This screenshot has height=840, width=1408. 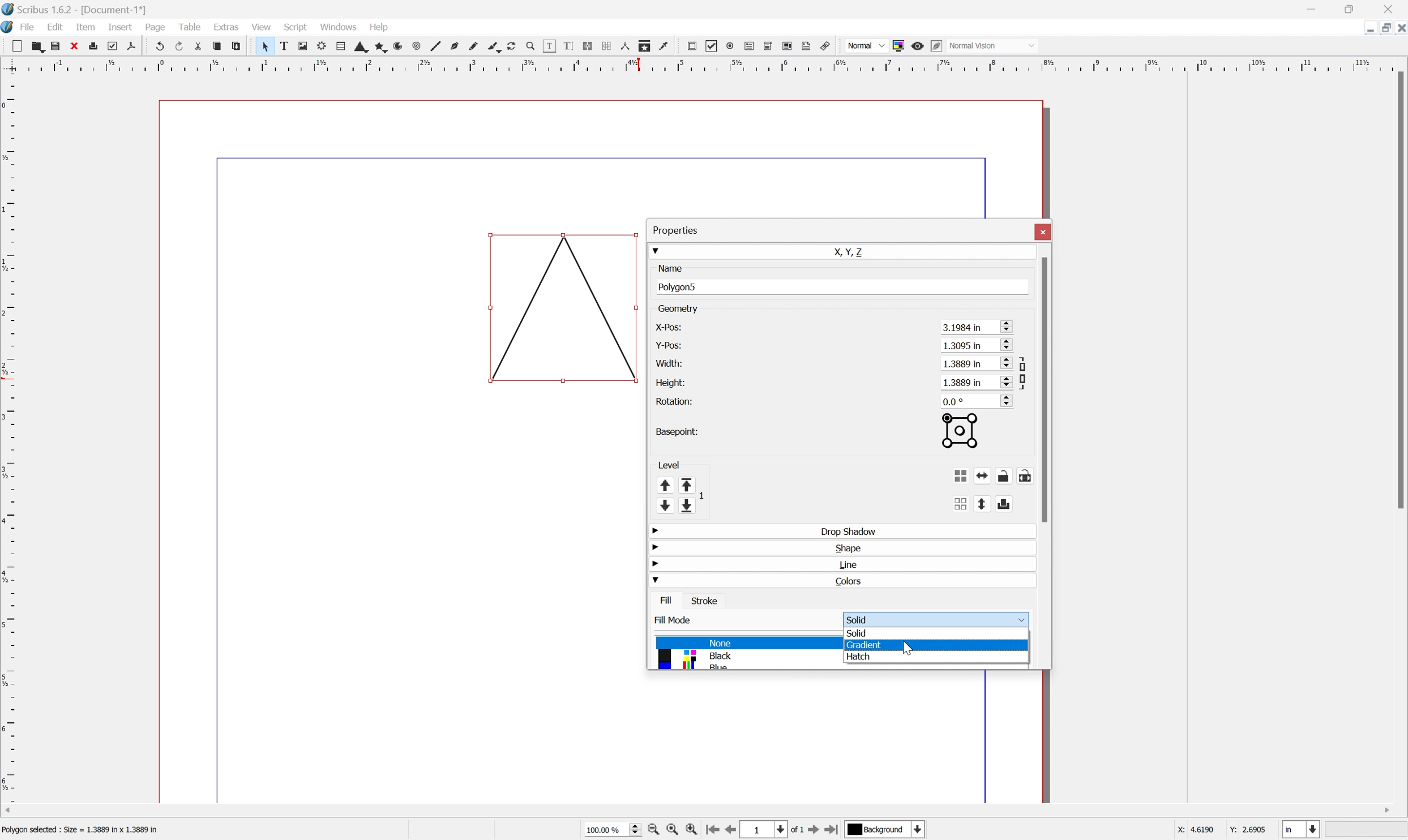 What do you see at coordinates (631, 830) in the screenshot?
I see `Slider` at bounding box center [631, 830].